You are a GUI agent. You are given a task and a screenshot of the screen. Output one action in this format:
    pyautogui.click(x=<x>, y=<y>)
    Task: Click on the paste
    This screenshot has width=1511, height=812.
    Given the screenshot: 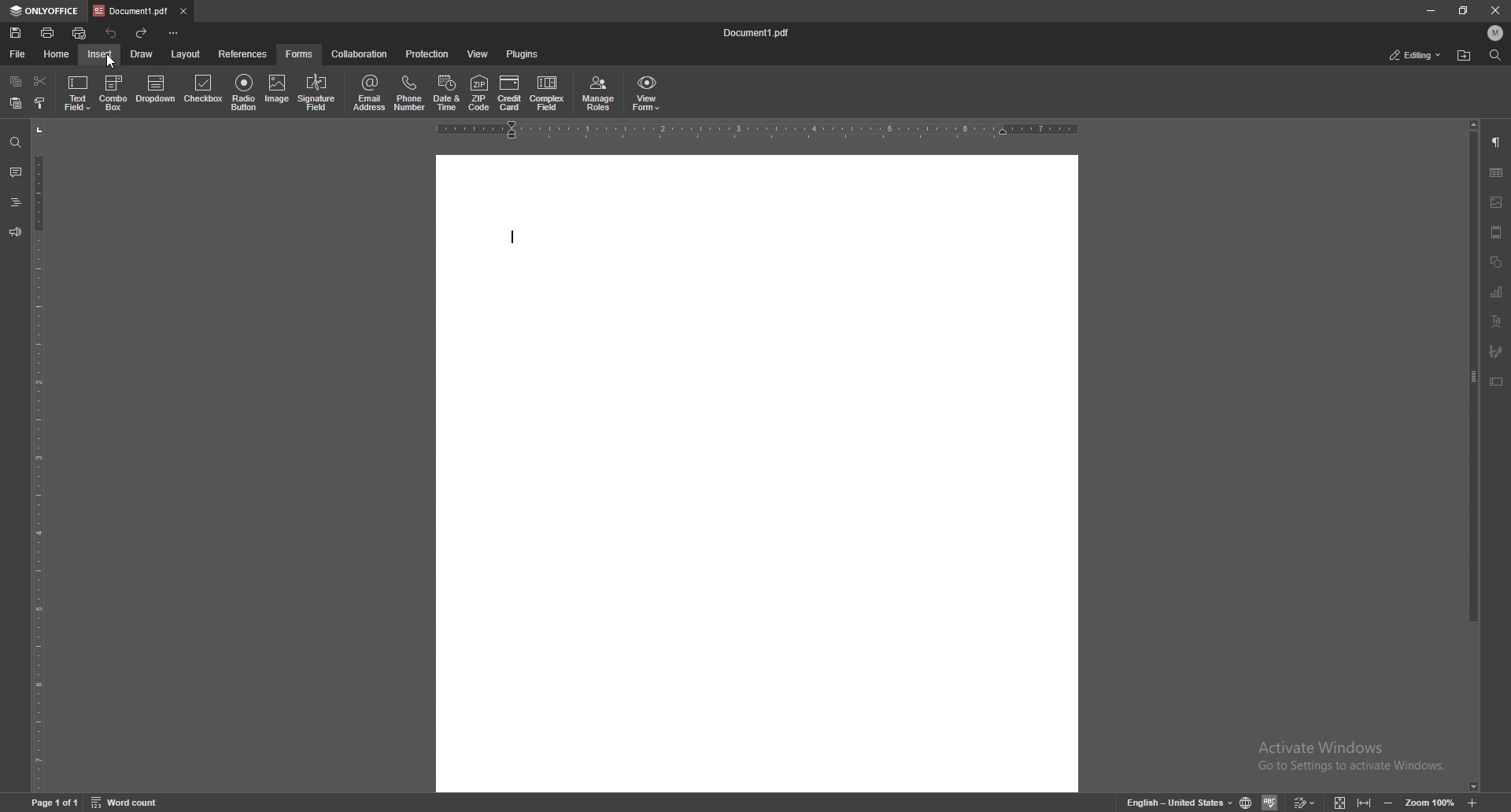 What is the action you would take?
    pyautogui.click(x=15, y=103)
    